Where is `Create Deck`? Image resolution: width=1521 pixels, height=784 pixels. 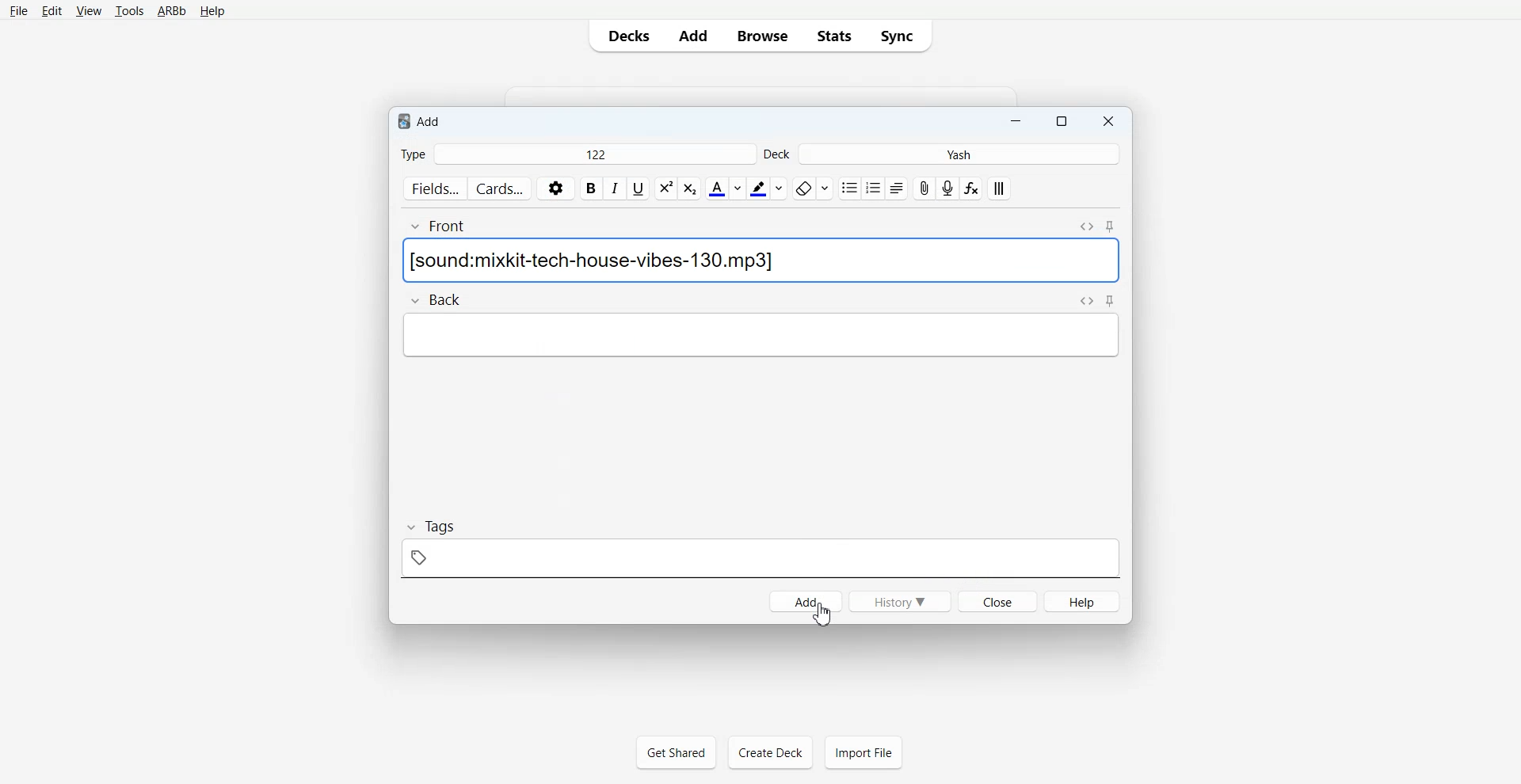 Create Deck is located at coordinates (770, 752).